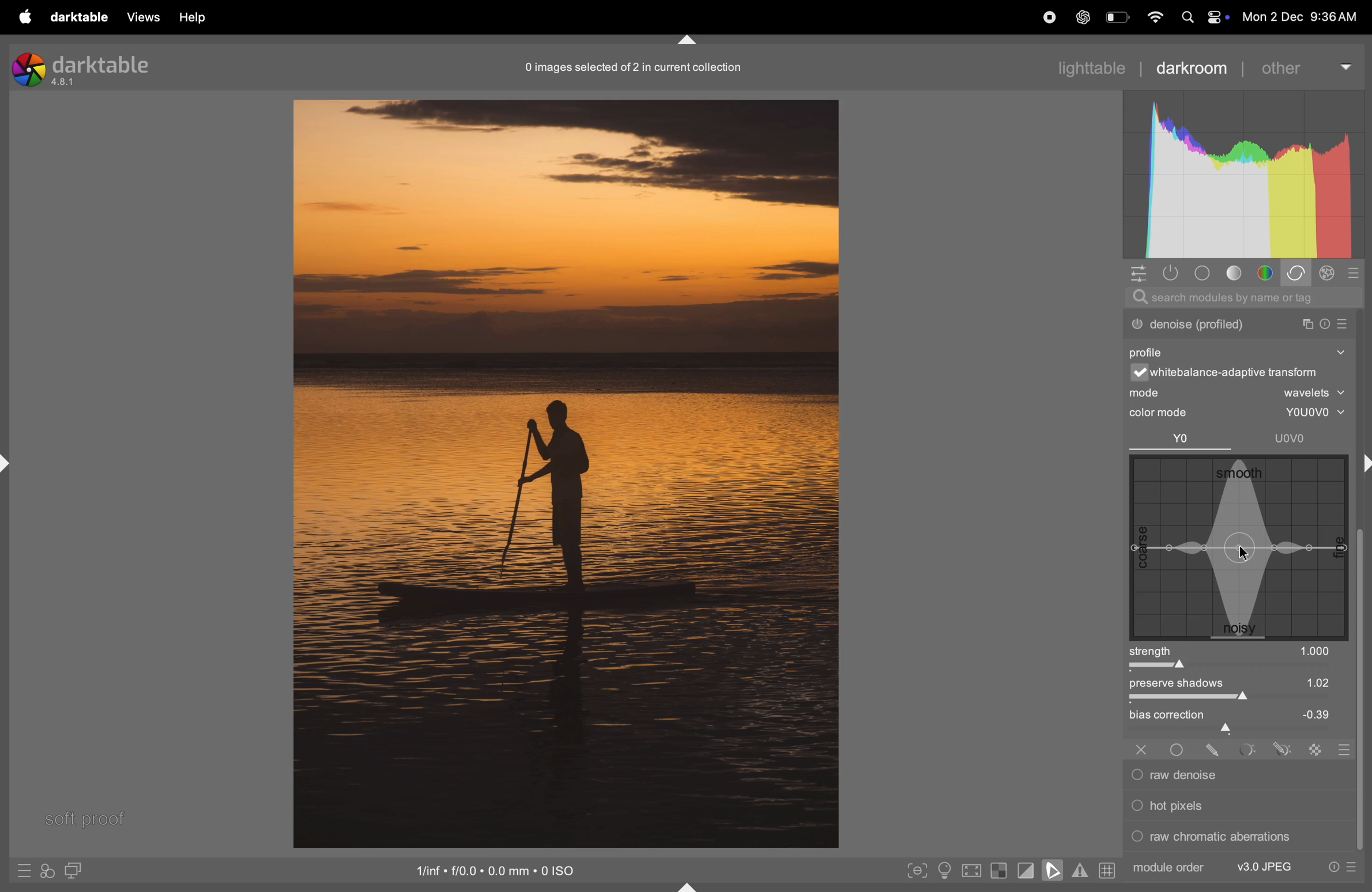 The height and width of the screenshot is (892, 1372). Describe the element at coordinates (1243, 551) in the screenshot. I see `cursor` at that location.